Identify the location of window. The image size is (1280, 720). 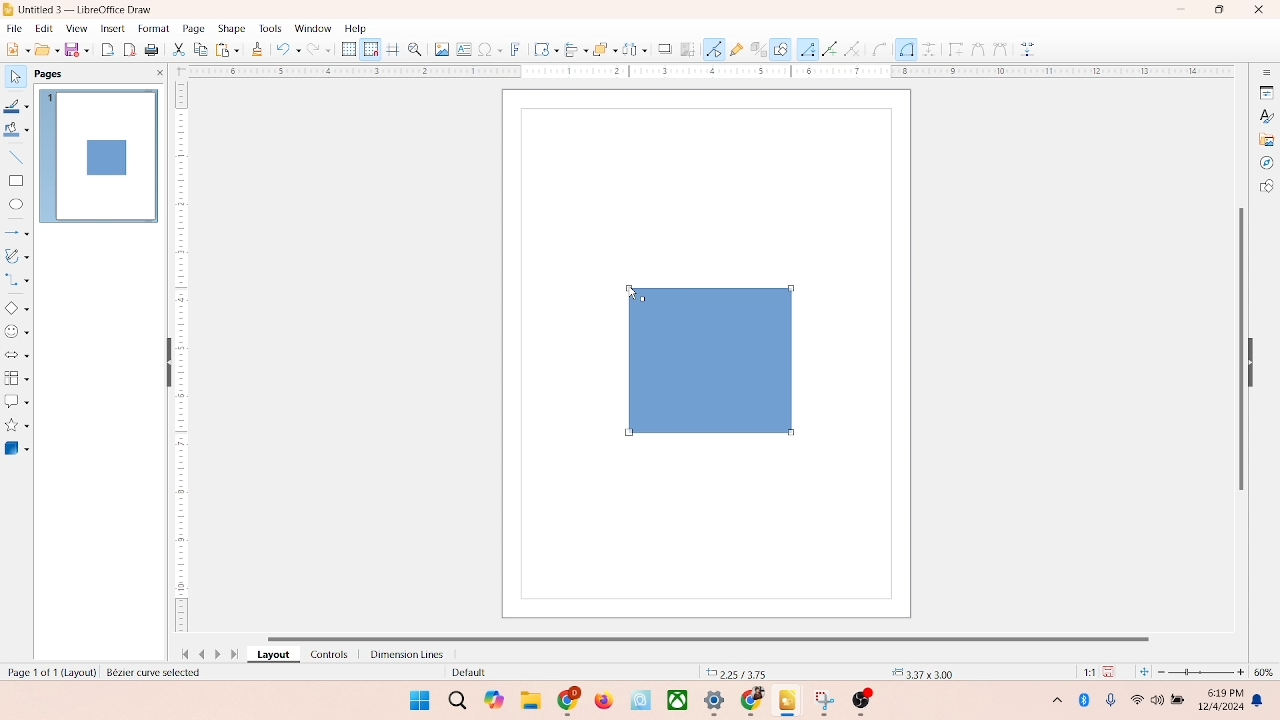
(312, 29).